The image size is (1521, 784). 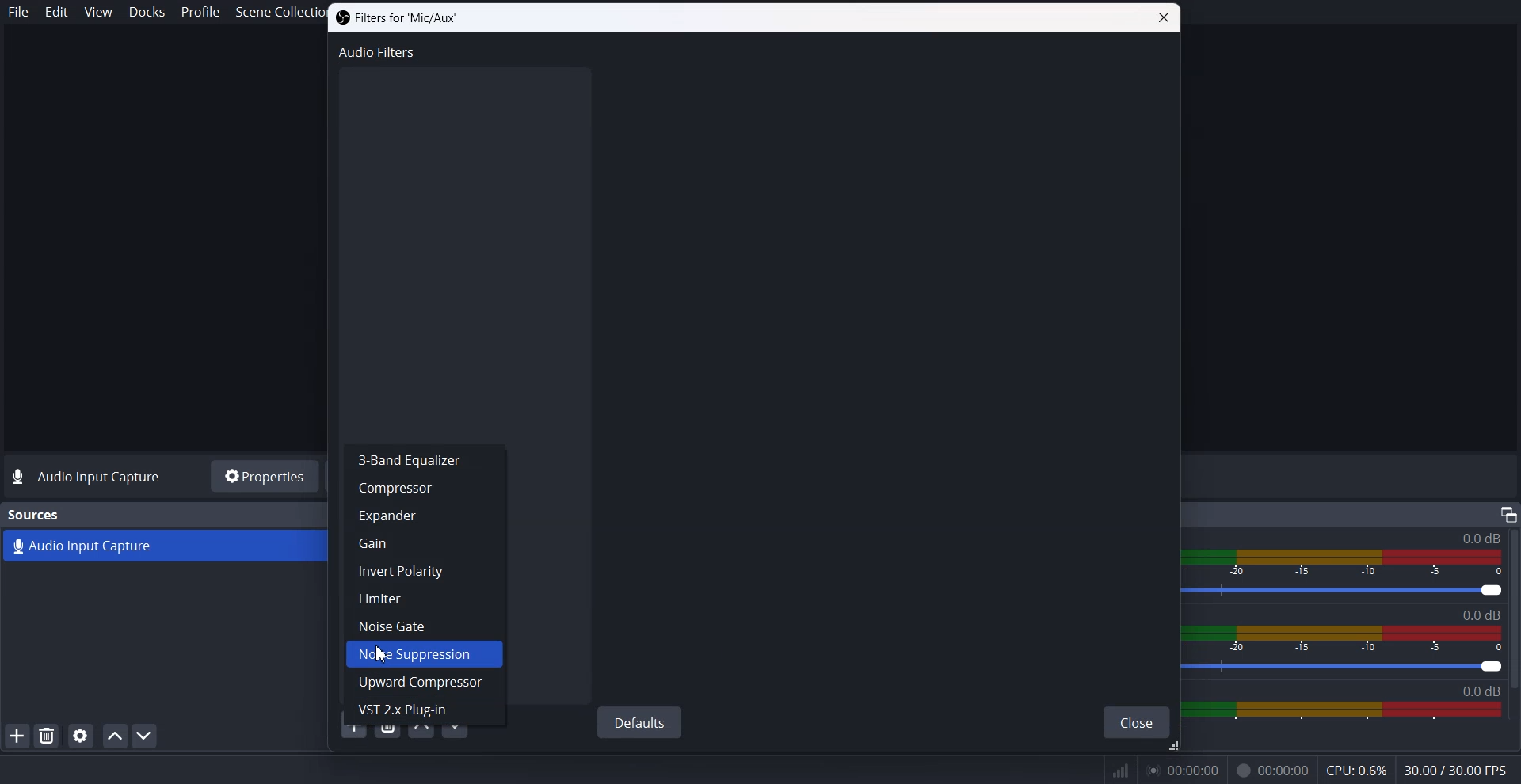 What do you see at coordinates (1164, 18) in the screenshot?
I see `Close` at bounding box center [1164, 18].